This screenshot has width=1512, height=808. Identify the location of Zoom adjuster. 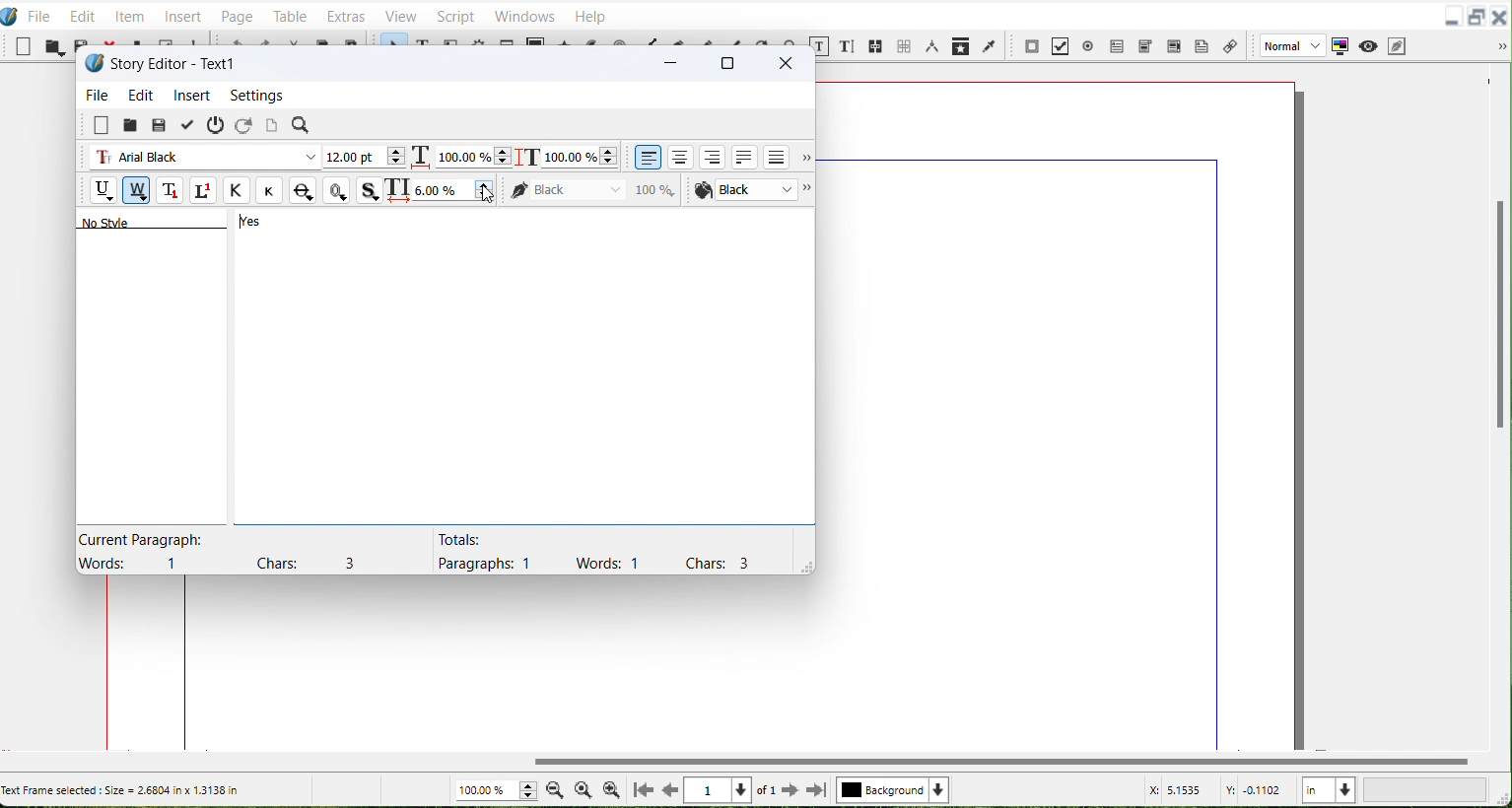
(495, 790).